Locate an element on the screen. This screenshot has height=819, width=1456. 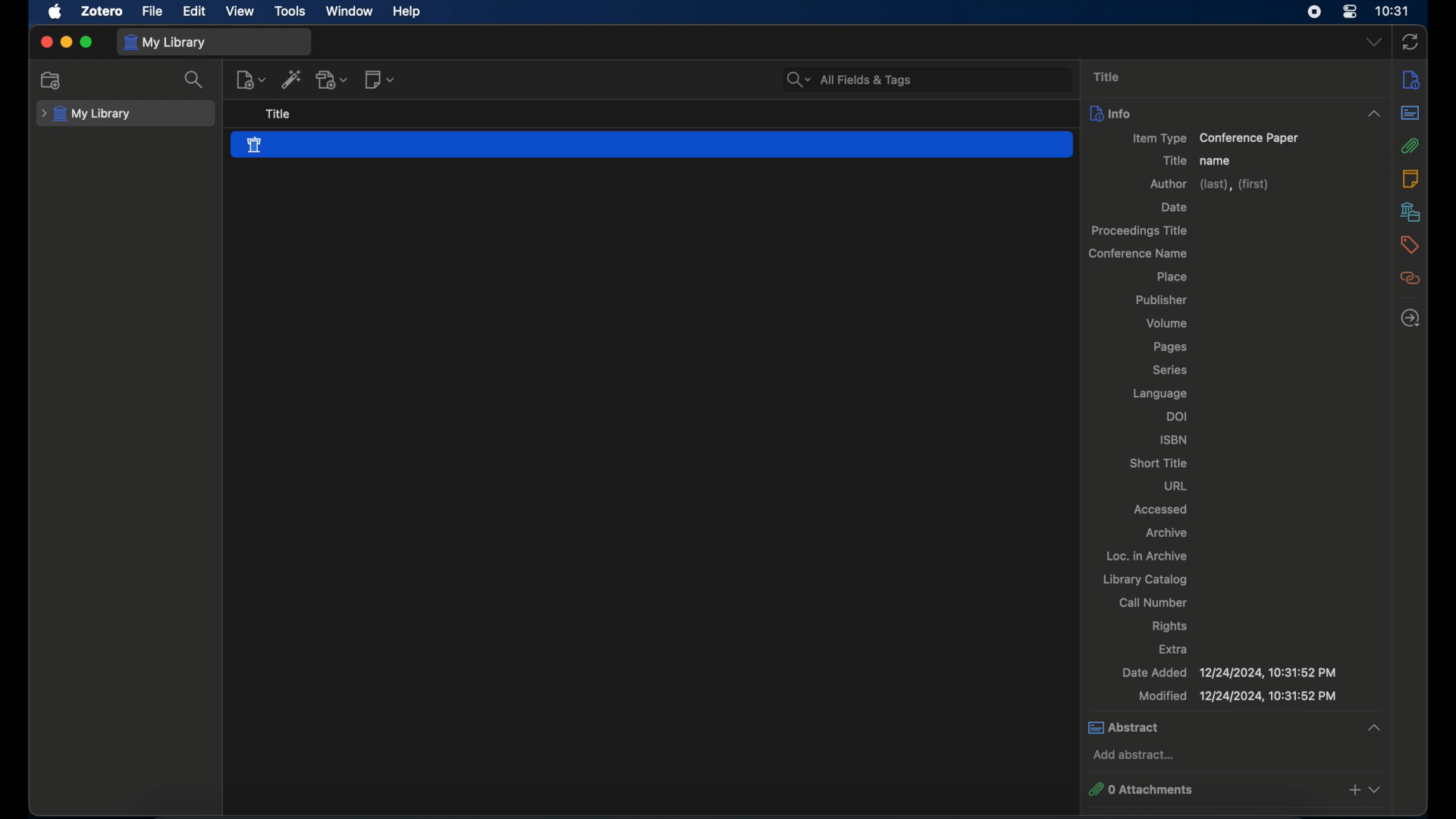
archive is located at coordinates (1169, 532).